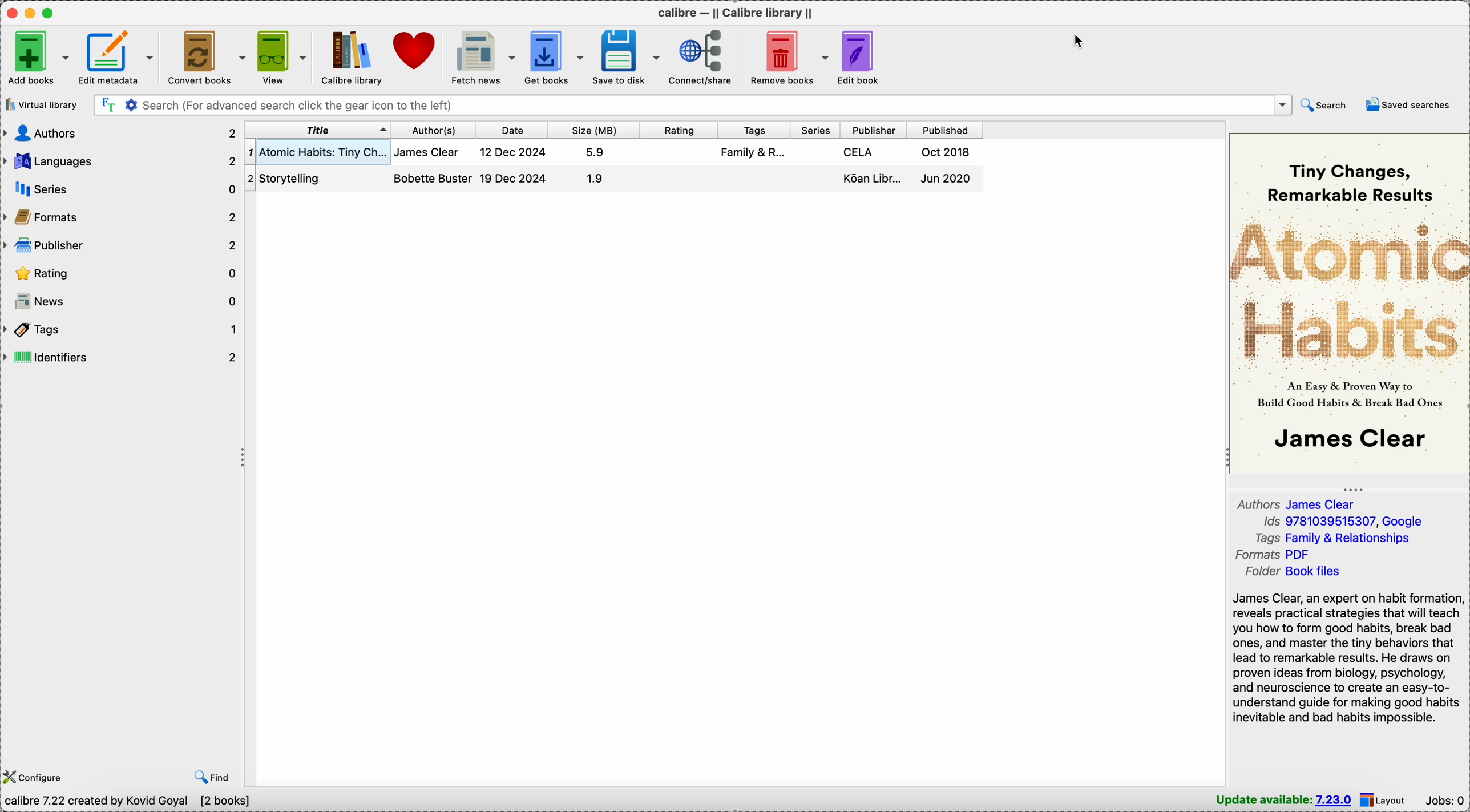 The height and width of the screenshot is (812, 1470). What do you see at coordinates (215, 776) in the screenshot?
I see `find` at bounding box center [215, 776].